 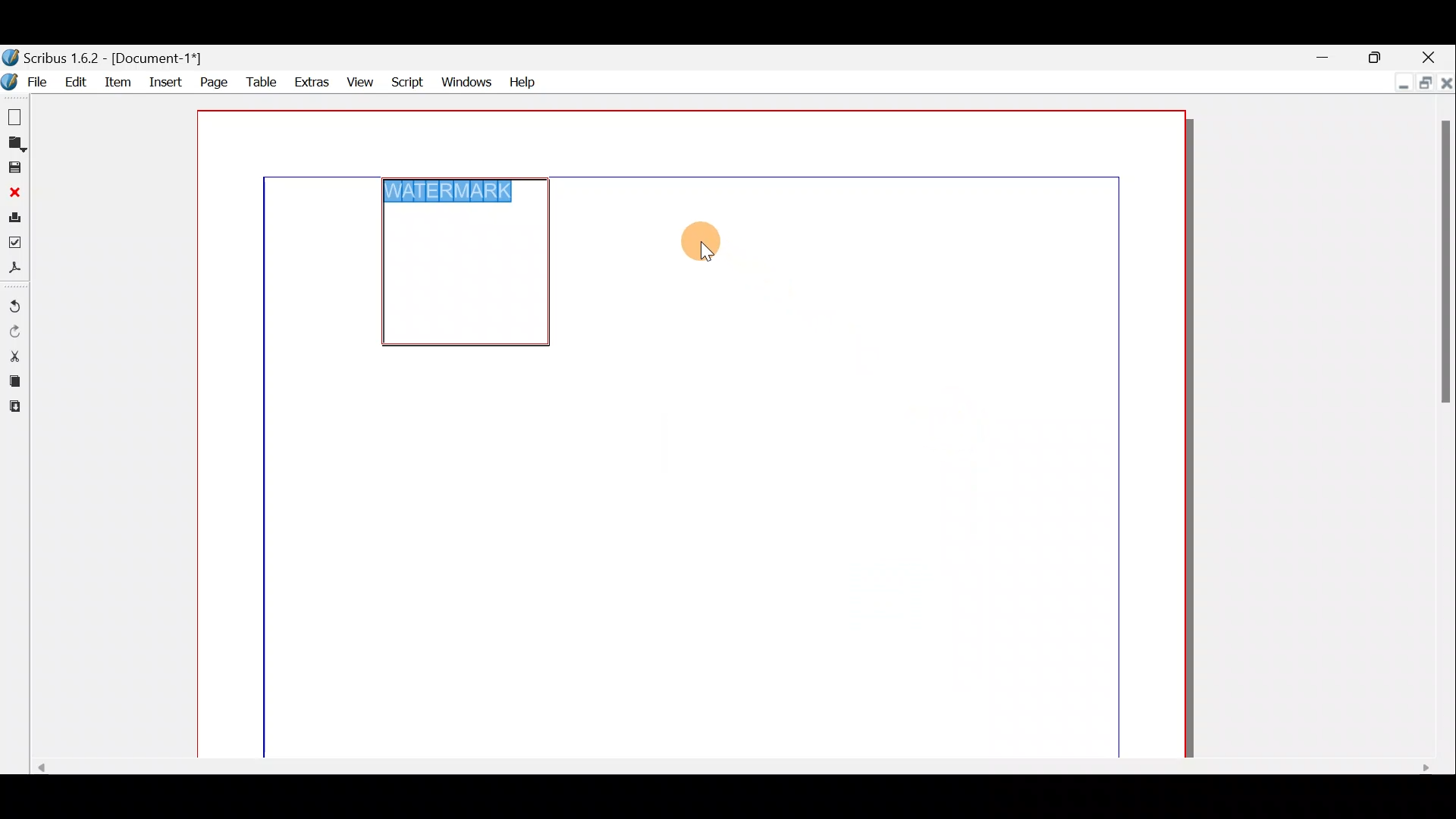 I want to click on Minimise, so click(x=1326, y=55).